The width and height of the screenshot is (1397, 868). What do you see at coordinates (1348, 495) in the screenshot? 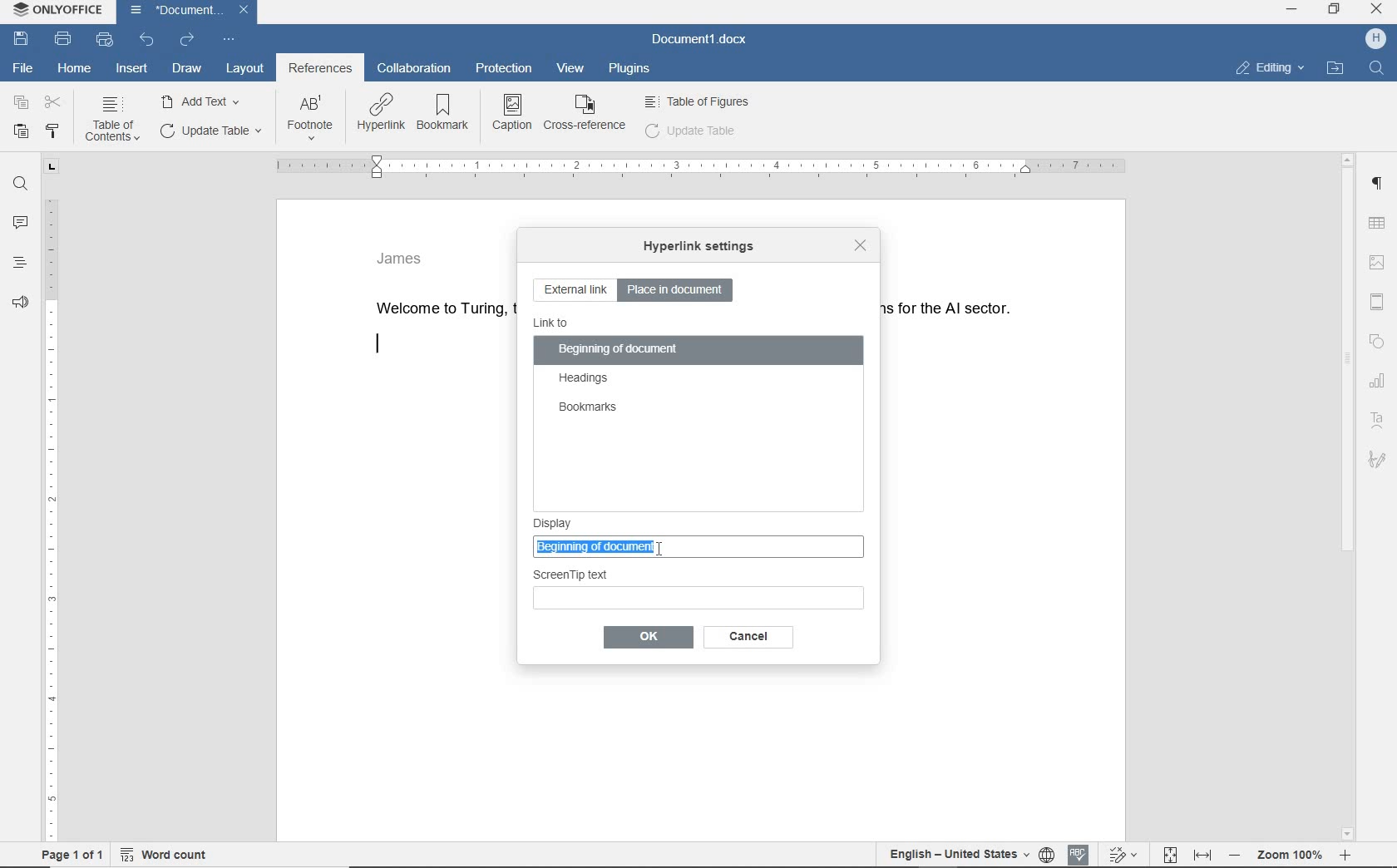
I see `scrollbar` at bounding box center [1348, 495].